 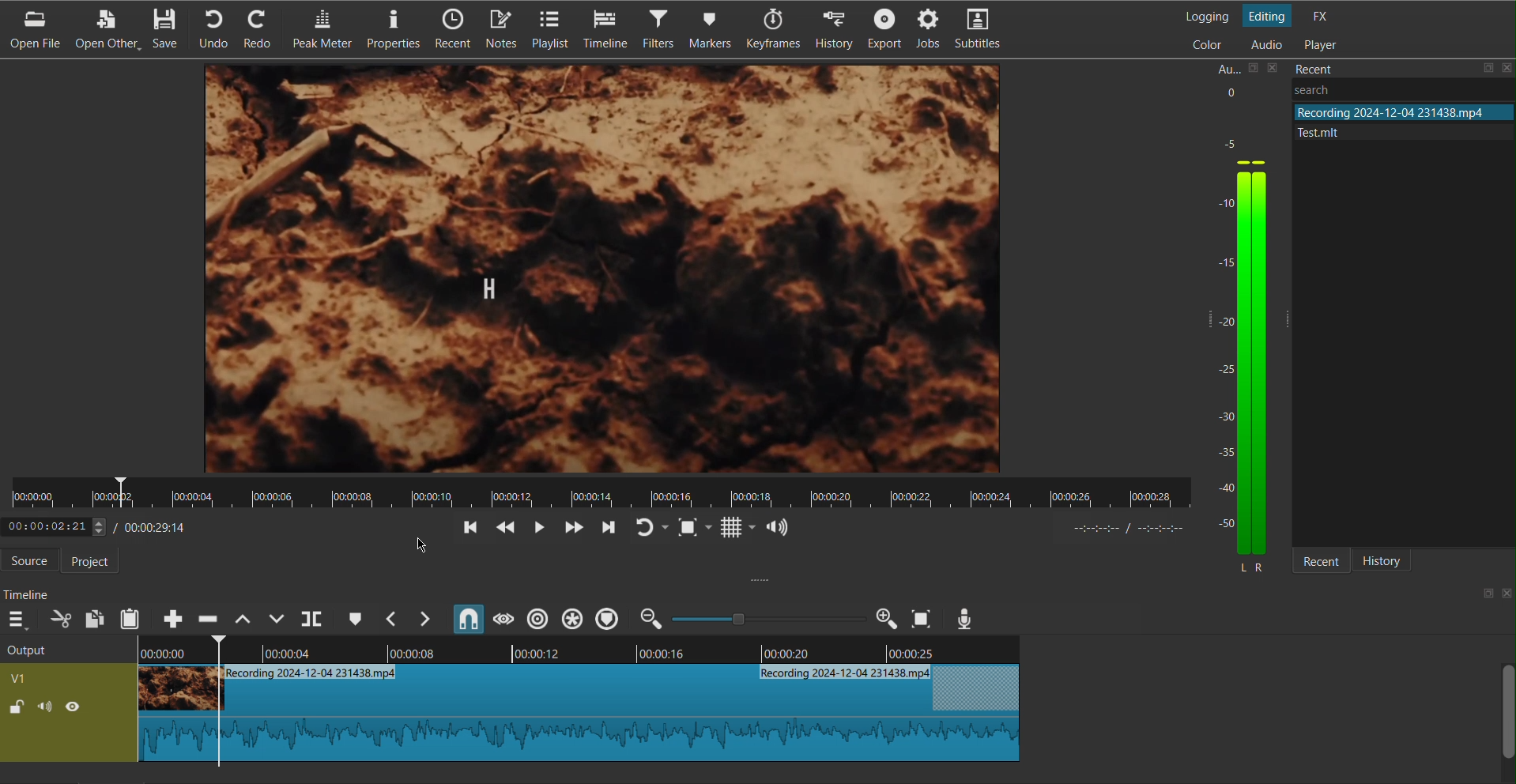 I want to click on Peak Meter, so click(x=319, y=30).